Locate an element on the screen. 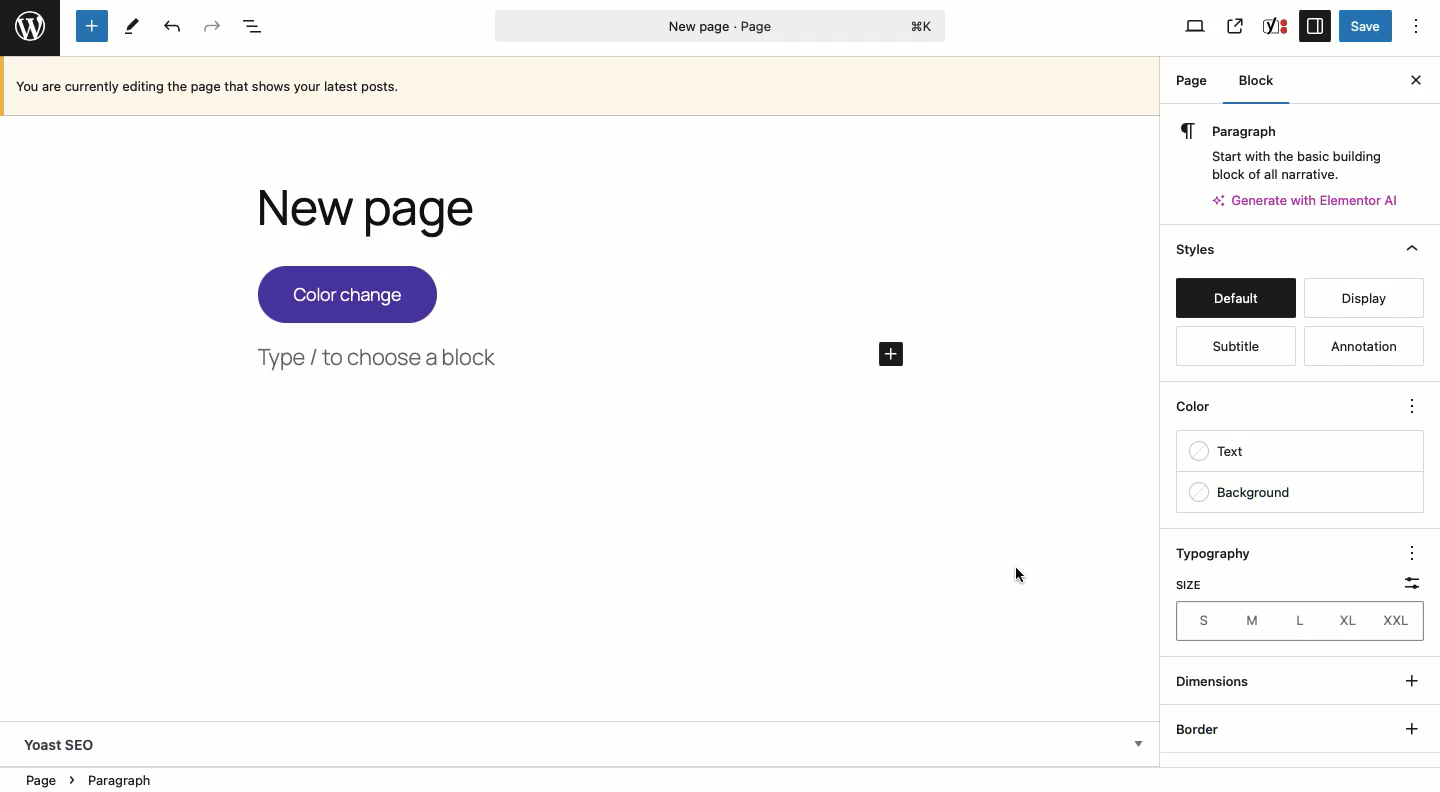  hide is located at coordinates (1412, 249).